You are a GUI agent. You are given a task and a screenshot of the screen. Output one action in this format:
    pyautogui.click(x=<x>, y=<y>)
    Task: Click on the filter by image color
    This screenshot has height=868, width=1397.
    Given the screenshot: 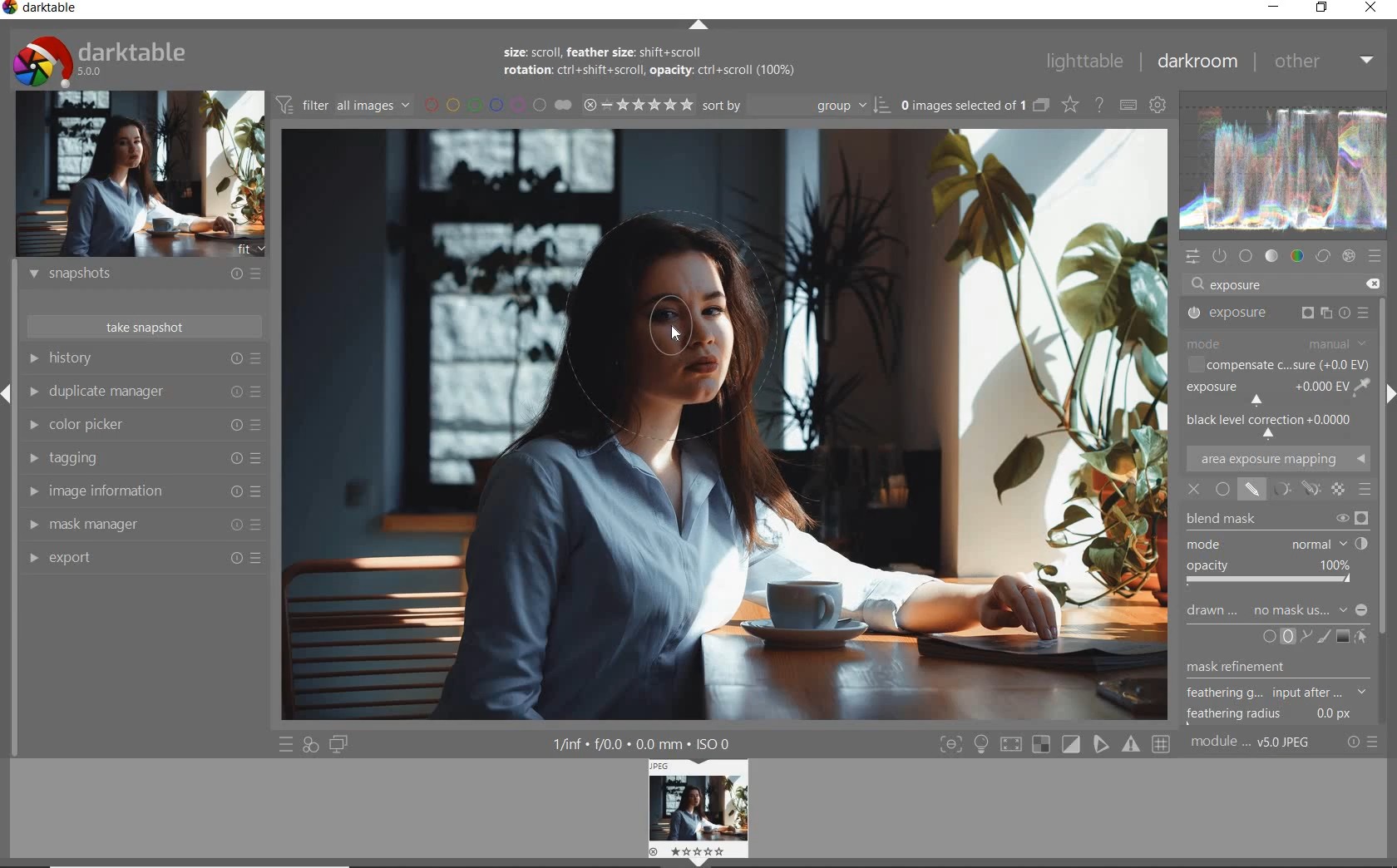 What is the action you would take?
    pyautogui.click(x=498, y=105)
    